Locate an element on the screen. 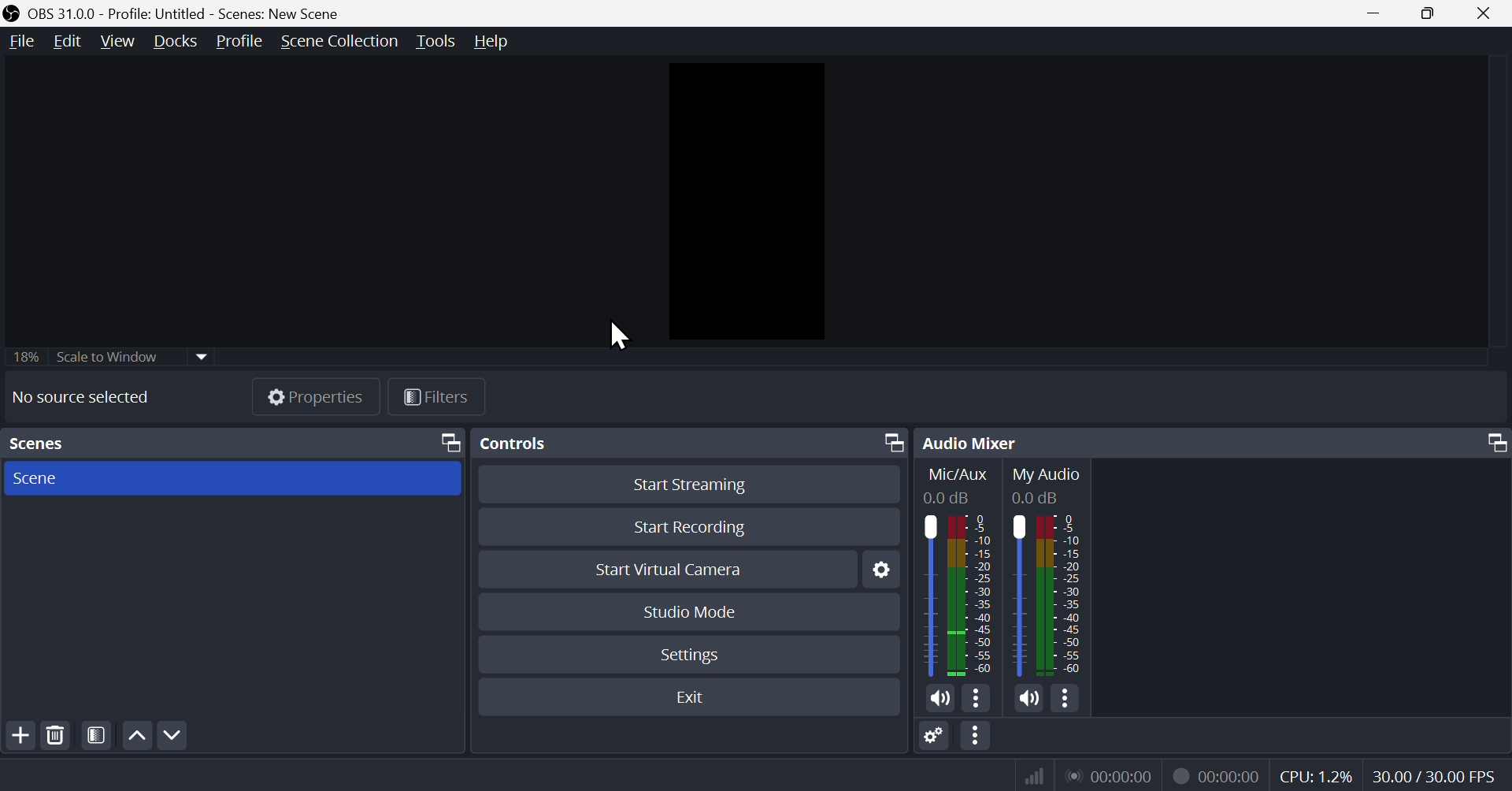 This screenshot has height=791, width=1512. Maximize is located at coordinates (1488, 444).